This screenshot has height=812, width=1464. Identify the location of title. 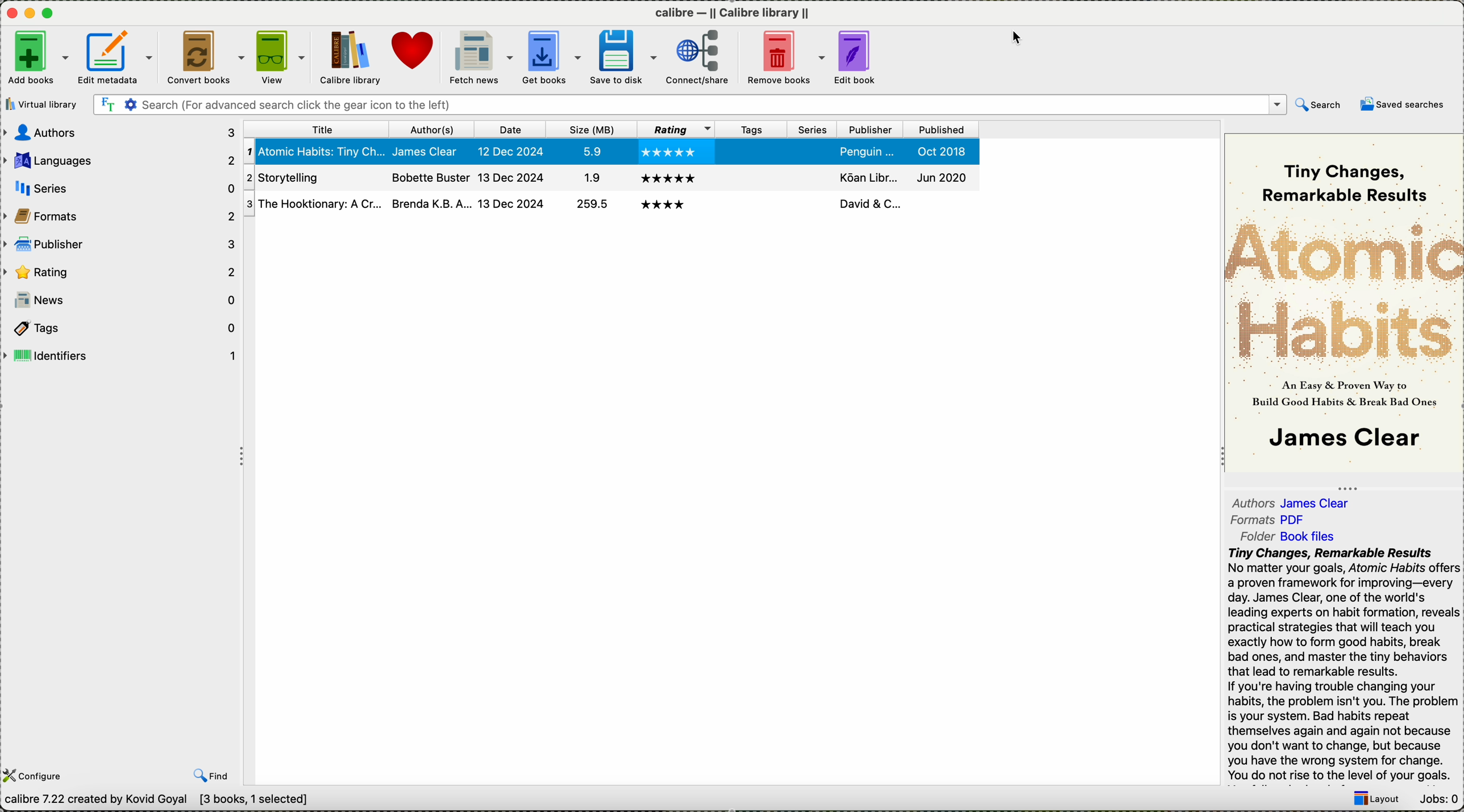
(315, 128).